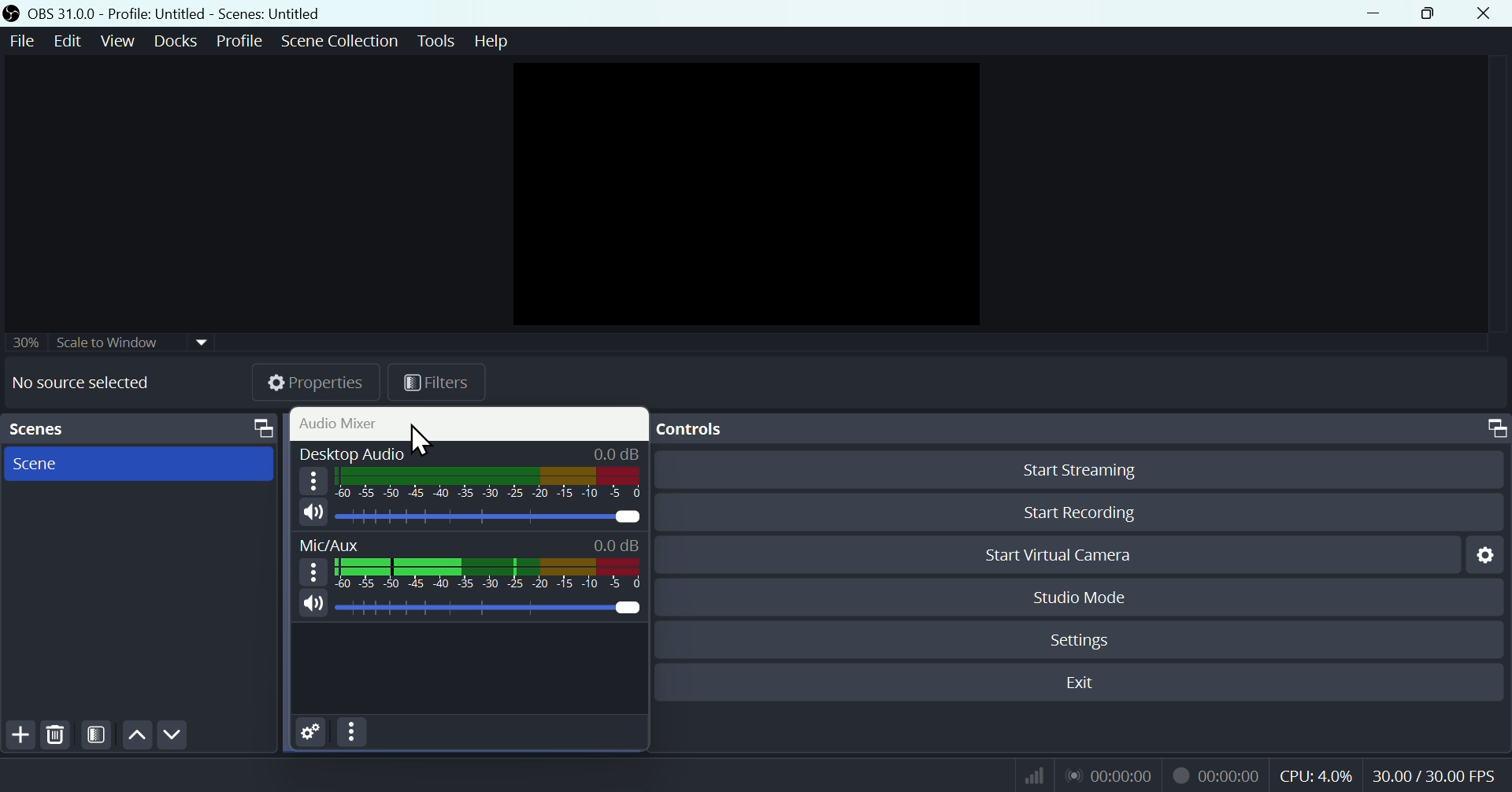 The width and height of the screenshot is (1512, 792). What do you see at coordinates (23, 41) in the screenshot?
I see `File` at bounding box center [23, 41].